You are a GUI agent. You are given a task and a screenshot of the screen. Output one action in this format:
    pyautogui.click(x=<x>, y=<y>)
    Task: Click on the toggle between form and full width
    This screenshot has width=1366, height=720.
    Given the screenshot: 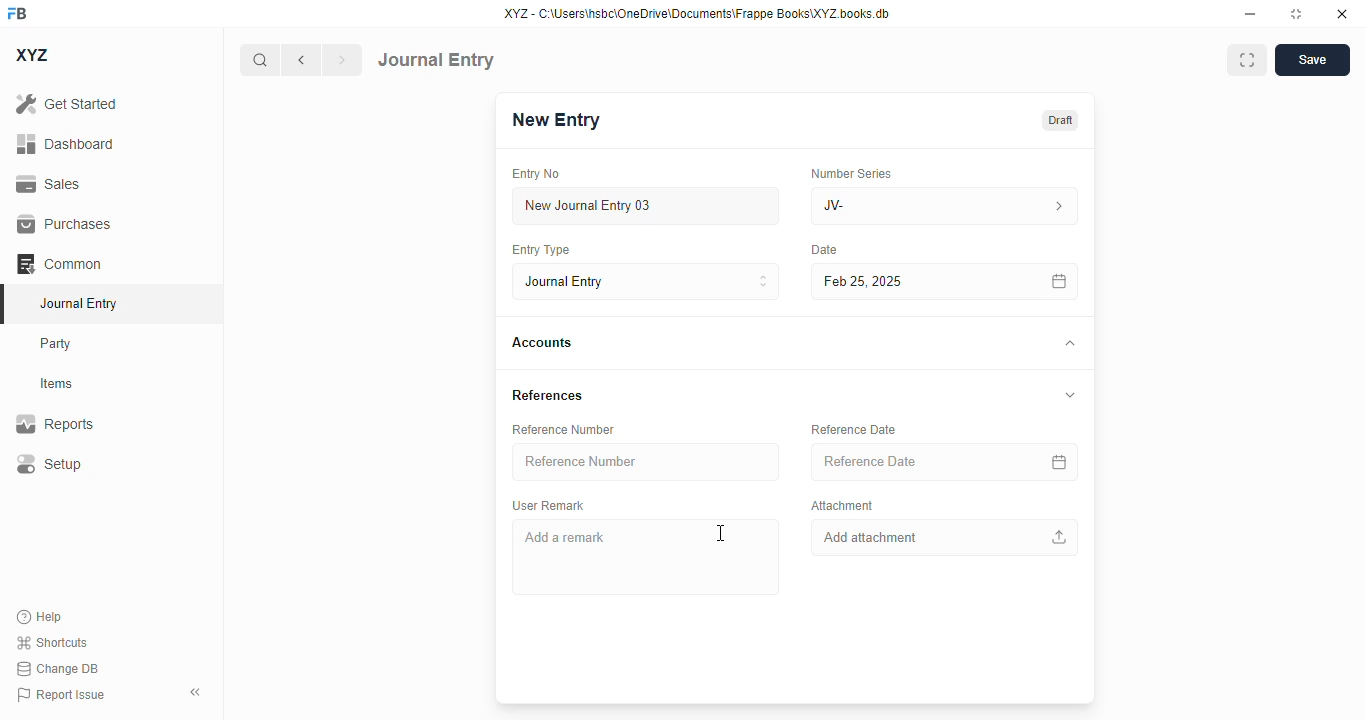 What is the action you would take?
    pyautogui.click(x=1248, y=60)
    